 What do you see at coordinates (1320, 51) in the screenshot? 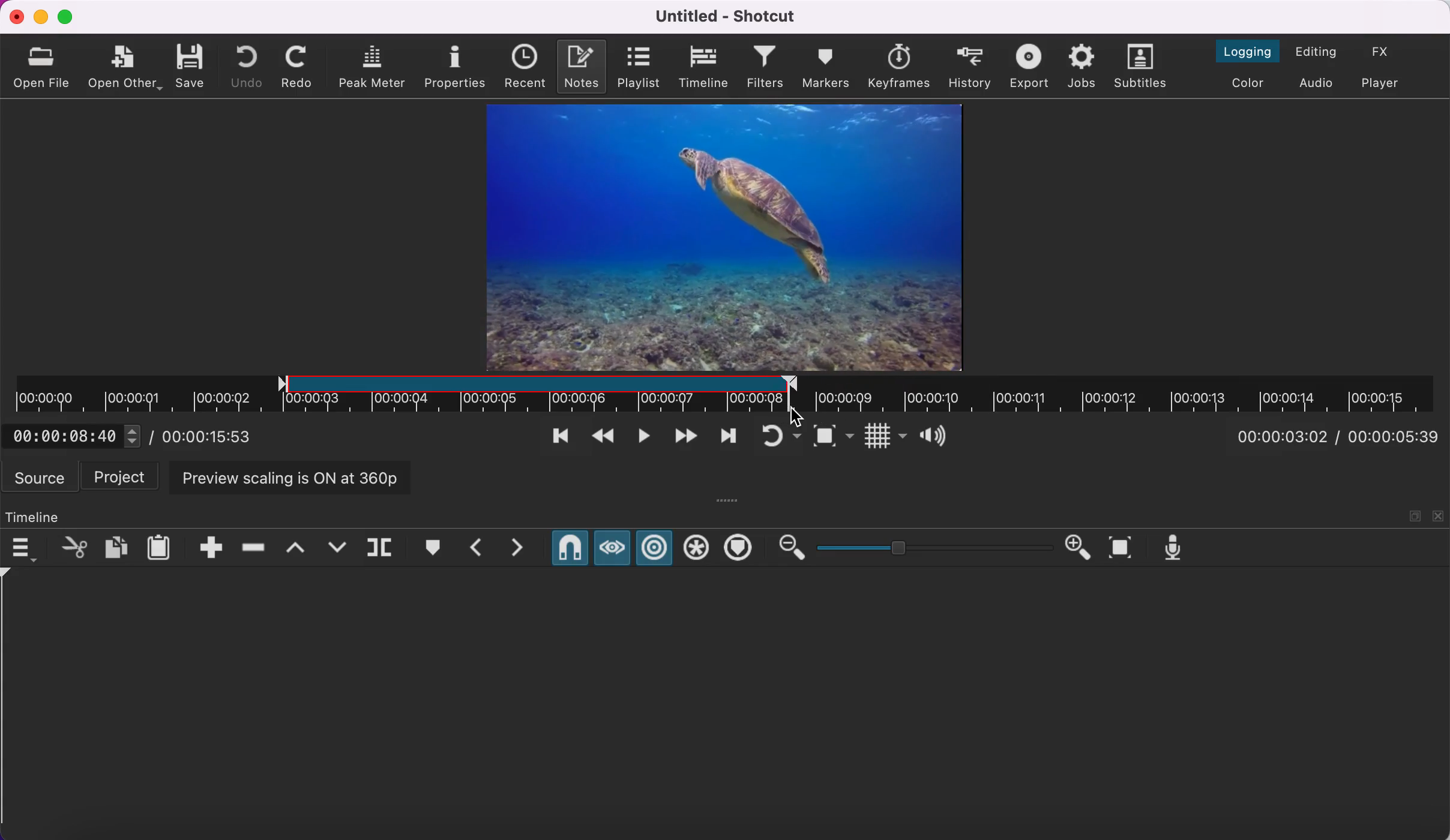
I see `switch to the editing layout` at bounding box center [1320, 51].